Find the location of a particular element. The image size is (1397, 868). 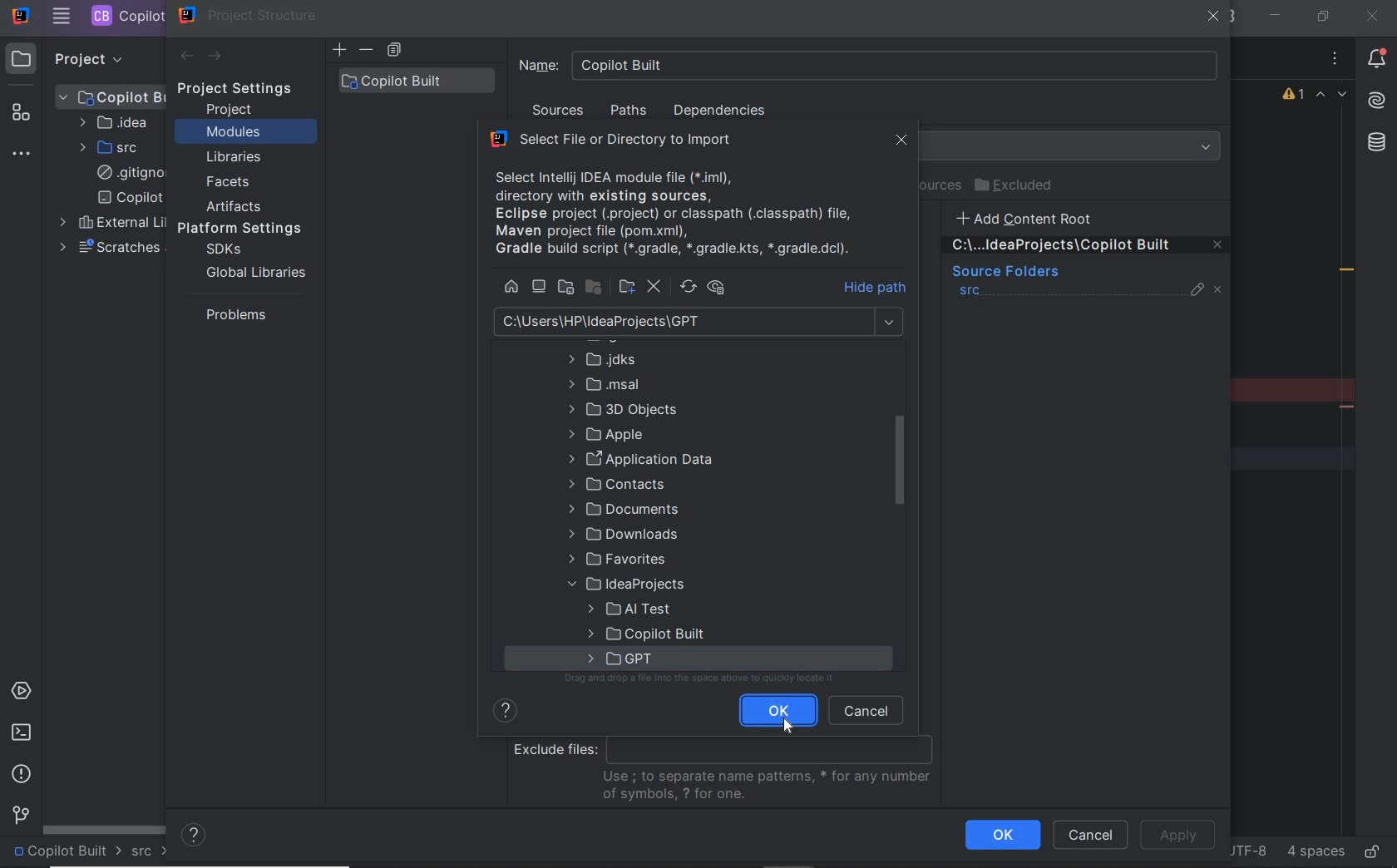

options is located at coordinates (1335, 61).